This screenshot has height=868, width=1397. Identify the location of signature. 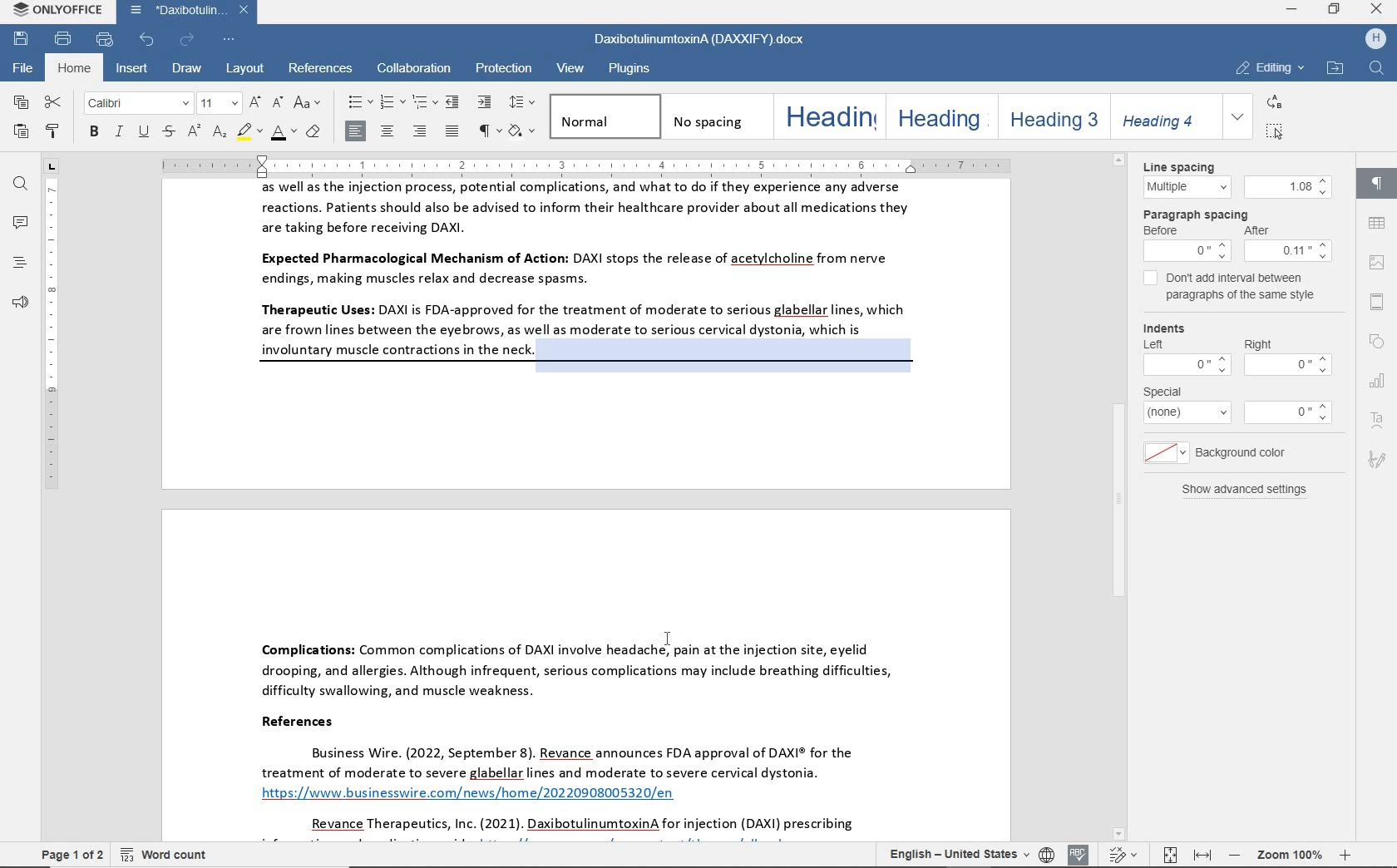
(1380, 457).